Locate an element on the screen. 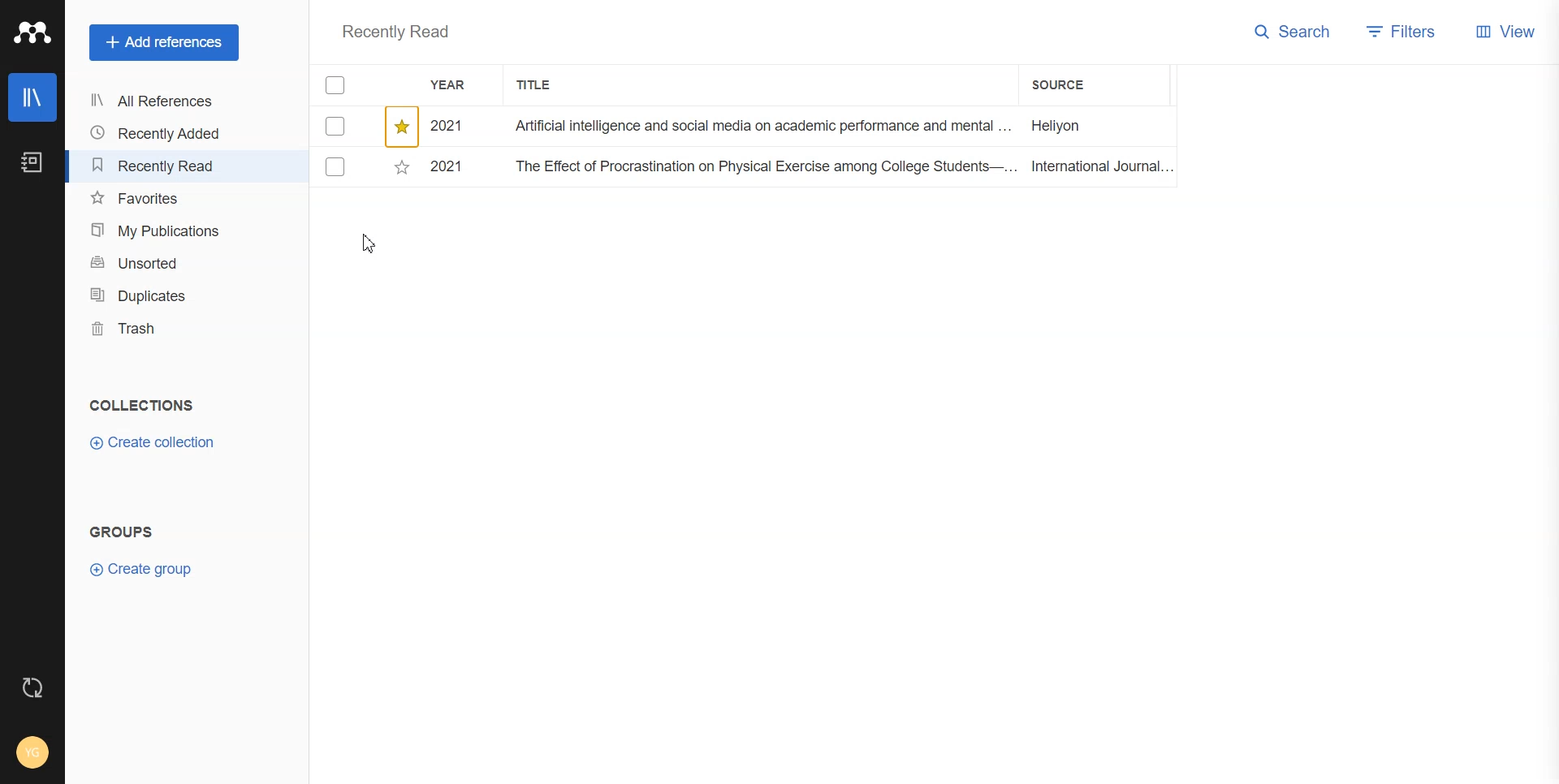  Cursor is located at coordinates (369, 243).